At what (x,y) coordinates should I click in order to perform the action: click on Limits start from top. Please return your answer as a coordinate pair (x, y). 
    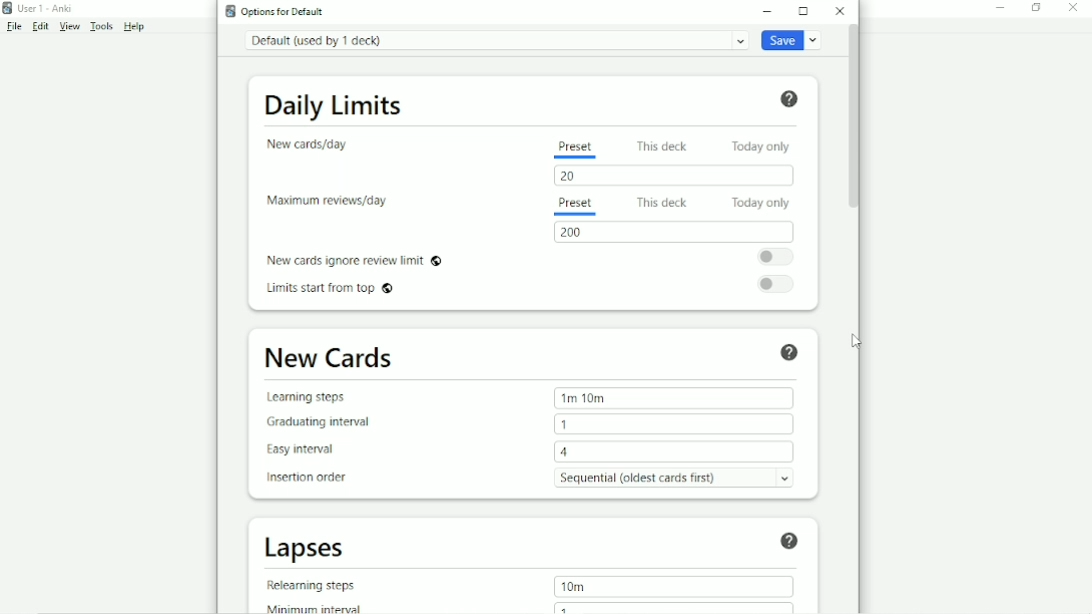
    Looking at the image, I should click on (330, 290).